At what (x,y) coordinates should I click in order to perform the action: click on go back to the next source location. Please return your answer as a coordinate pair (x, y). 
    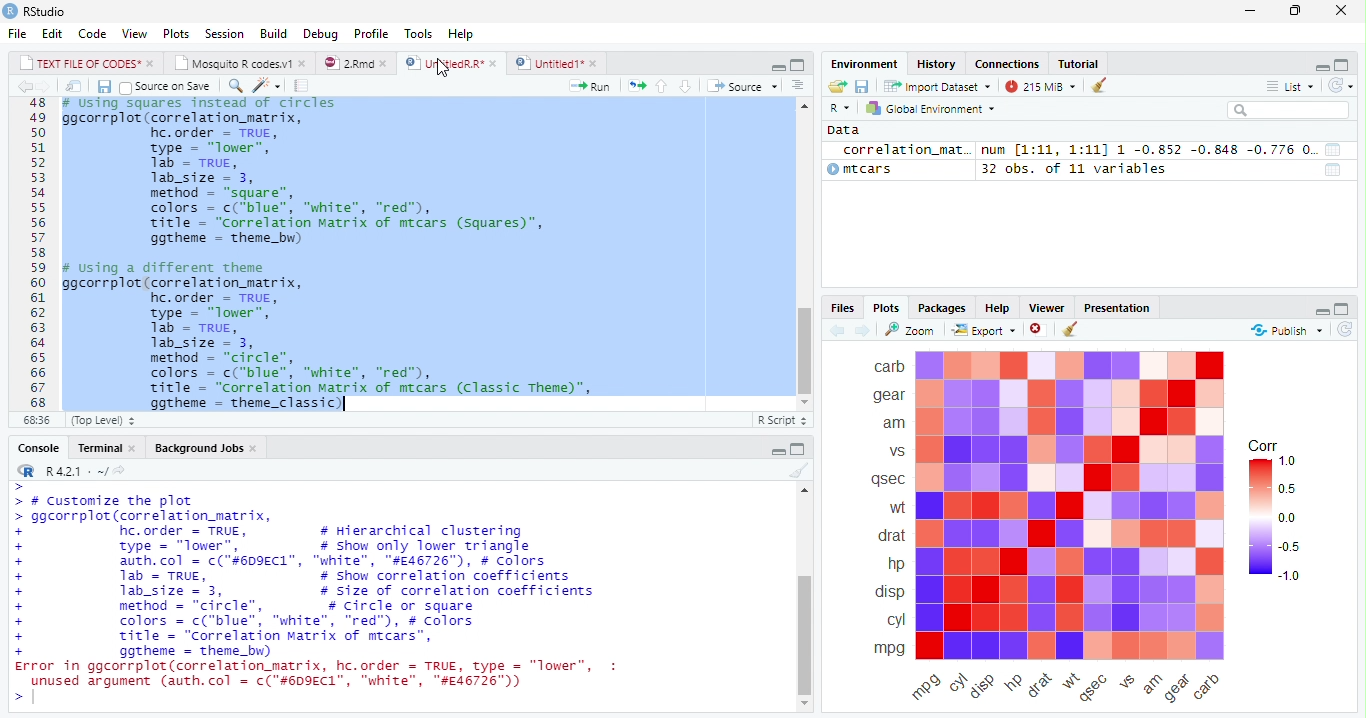
    Looking at the image, I should click on (50, 87).